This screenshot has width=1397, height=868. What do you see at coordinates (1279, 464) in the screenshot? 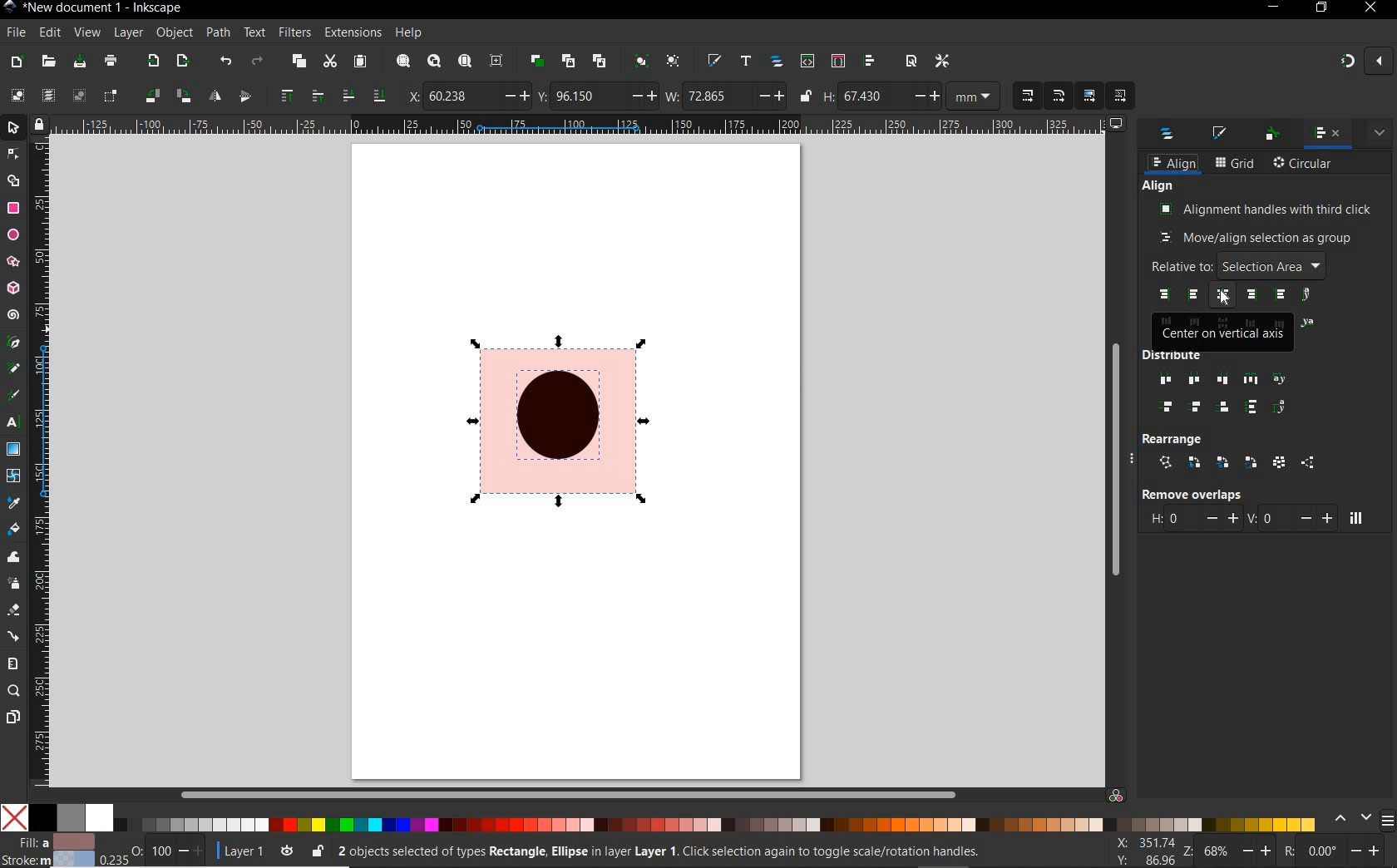
I see `RANDOM EXCHANGE` at bounding box center [1279, 464].